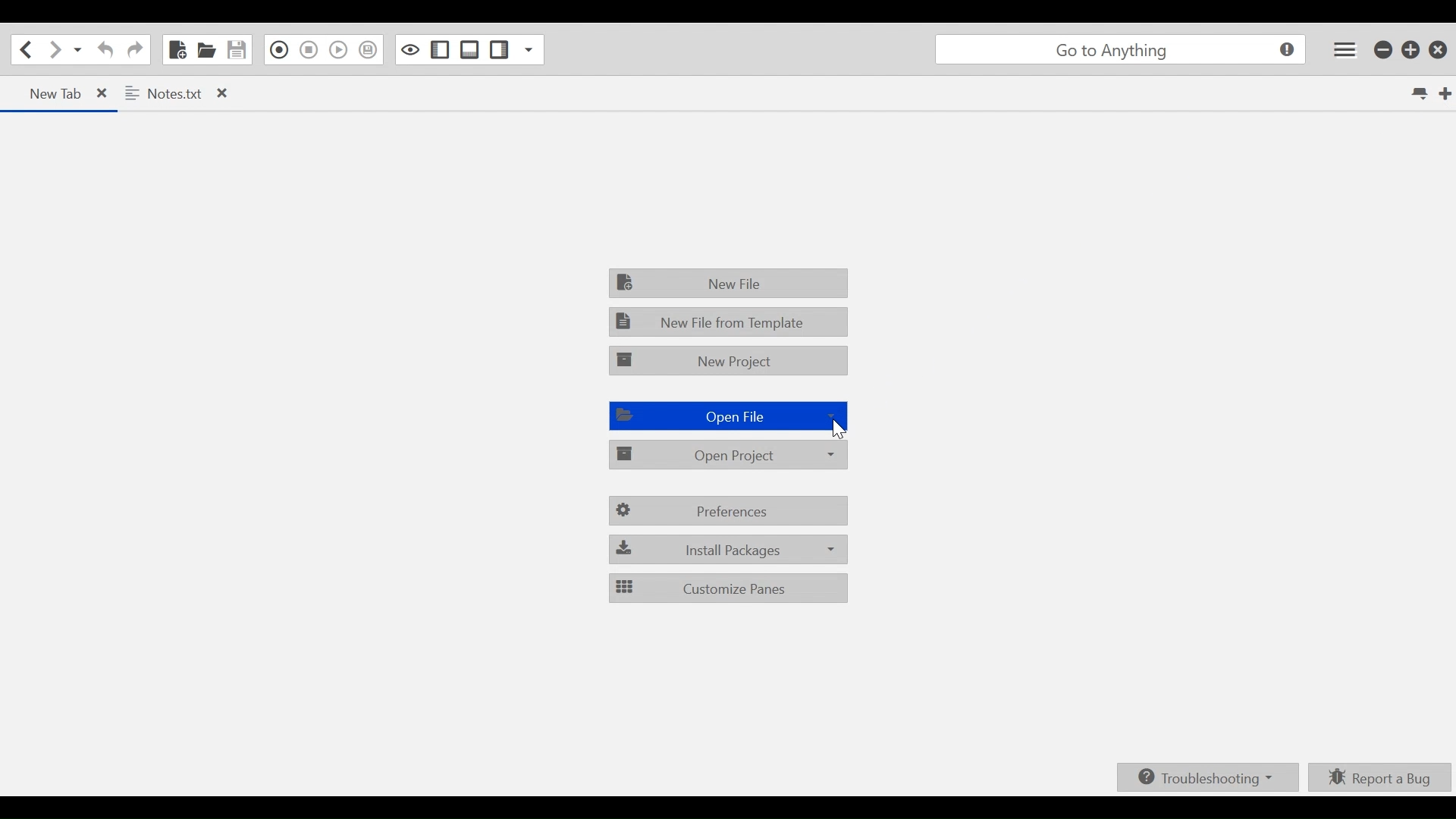  Describe the element at coordinates (839, 425) in the screenshot. I see `Cursor` at that location.